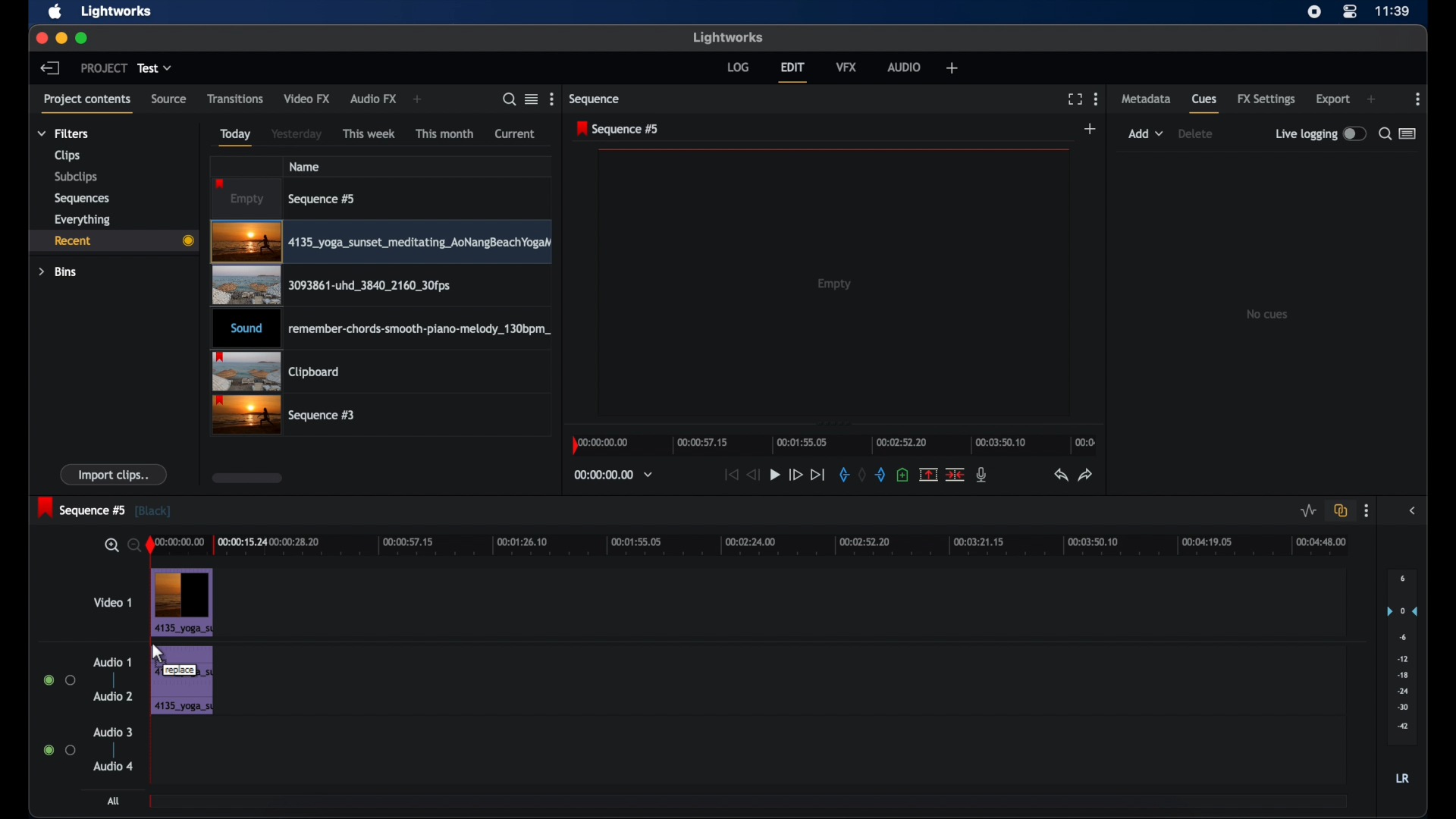  I want to click on clear marks, so click(861, 474).